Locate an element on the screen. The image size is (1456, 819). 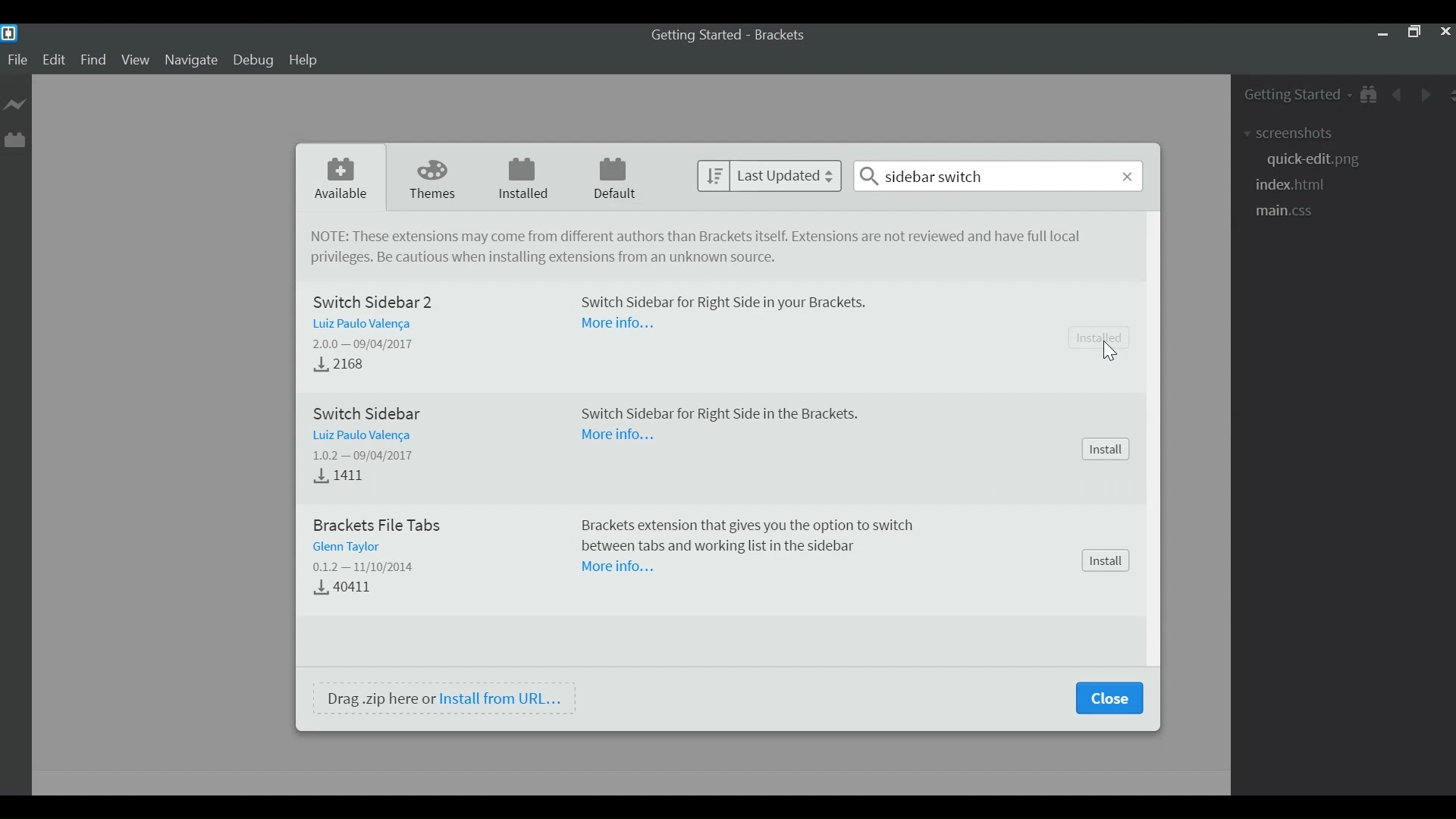
Version - Released Date is located at coordinates (372, 344).